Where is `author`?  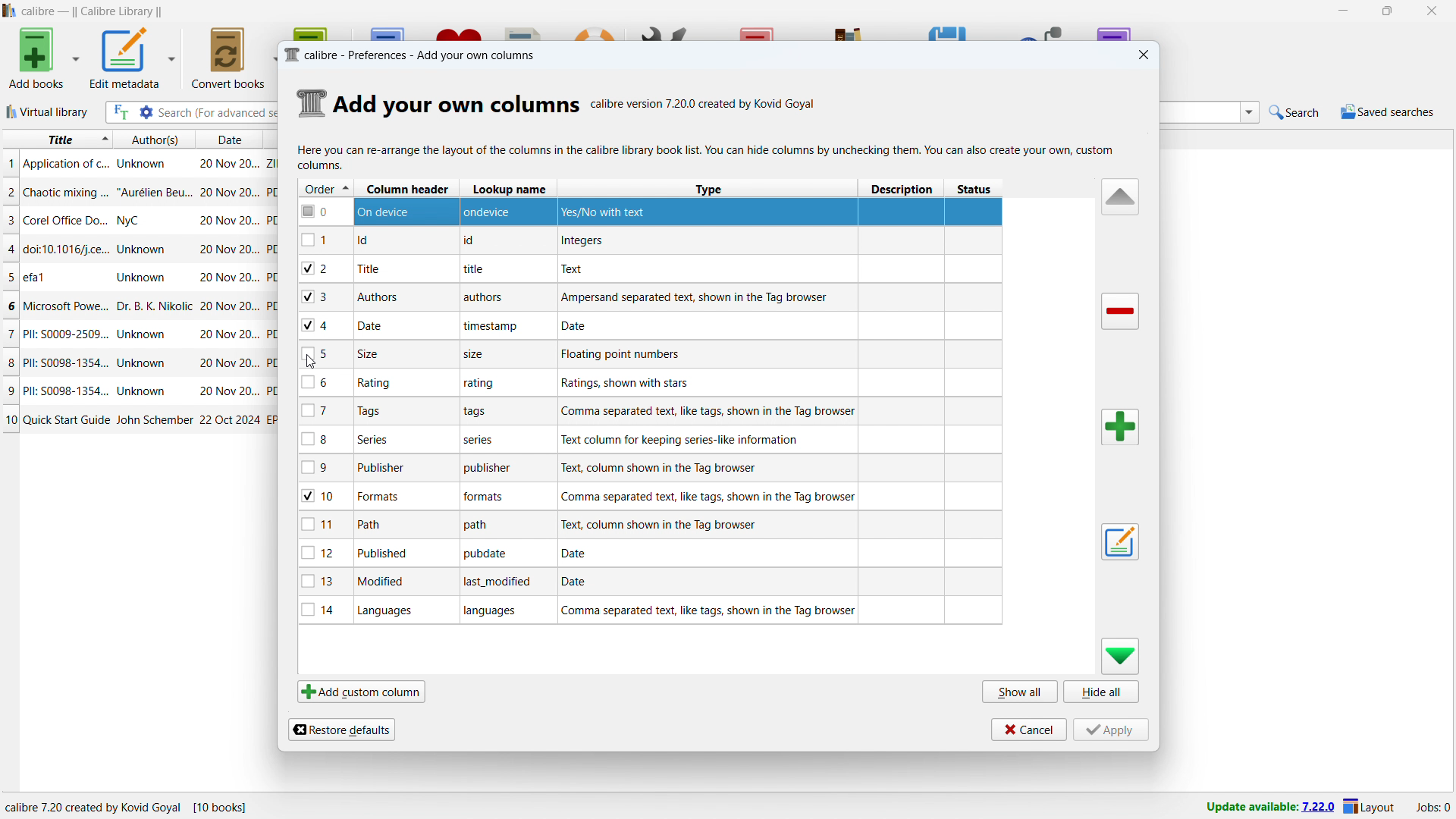
author is located at coordinates (143, 164).